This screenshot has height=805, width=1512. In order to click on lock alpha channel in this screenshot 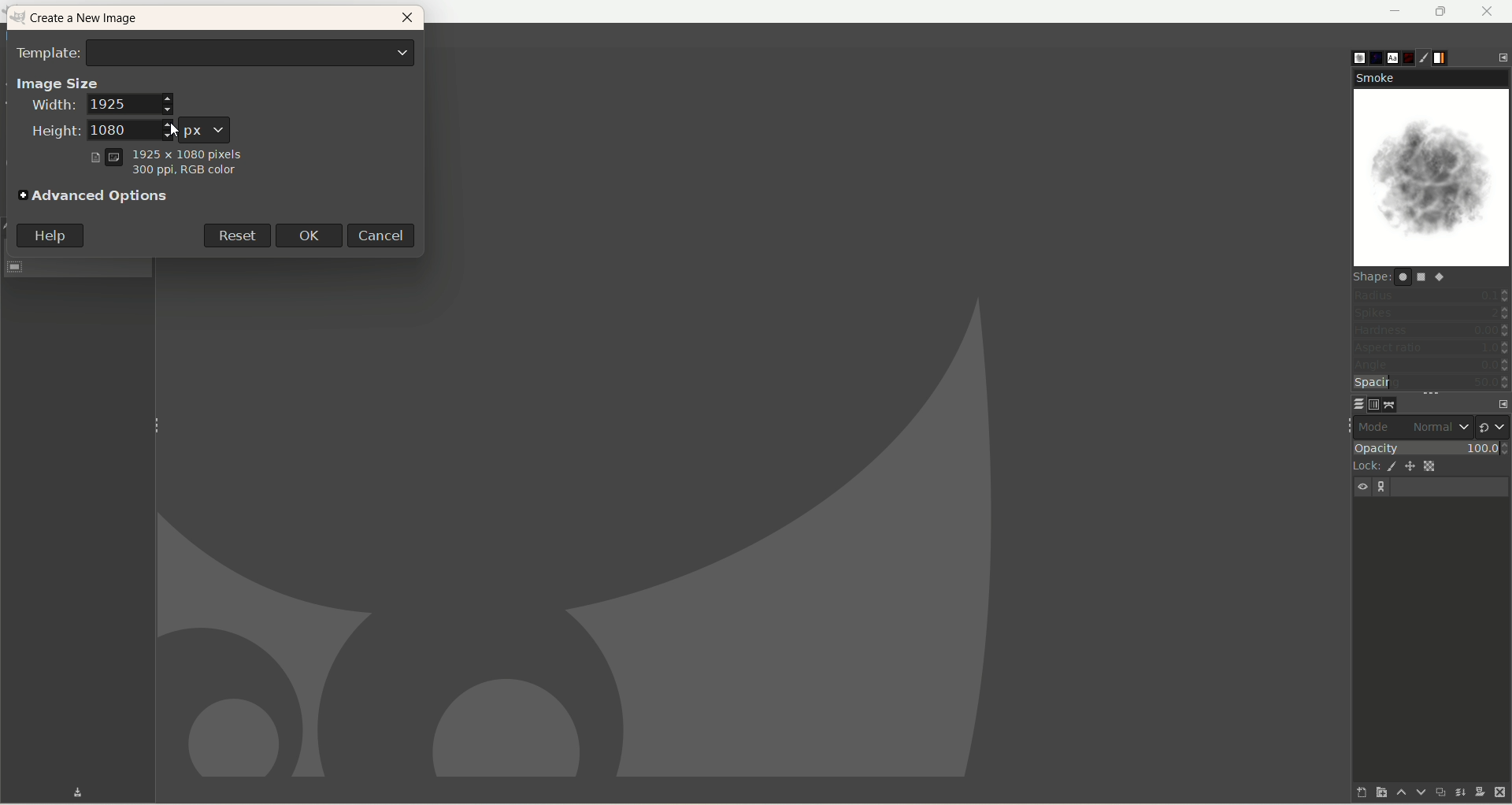, I will do `click(1436, 466)`.